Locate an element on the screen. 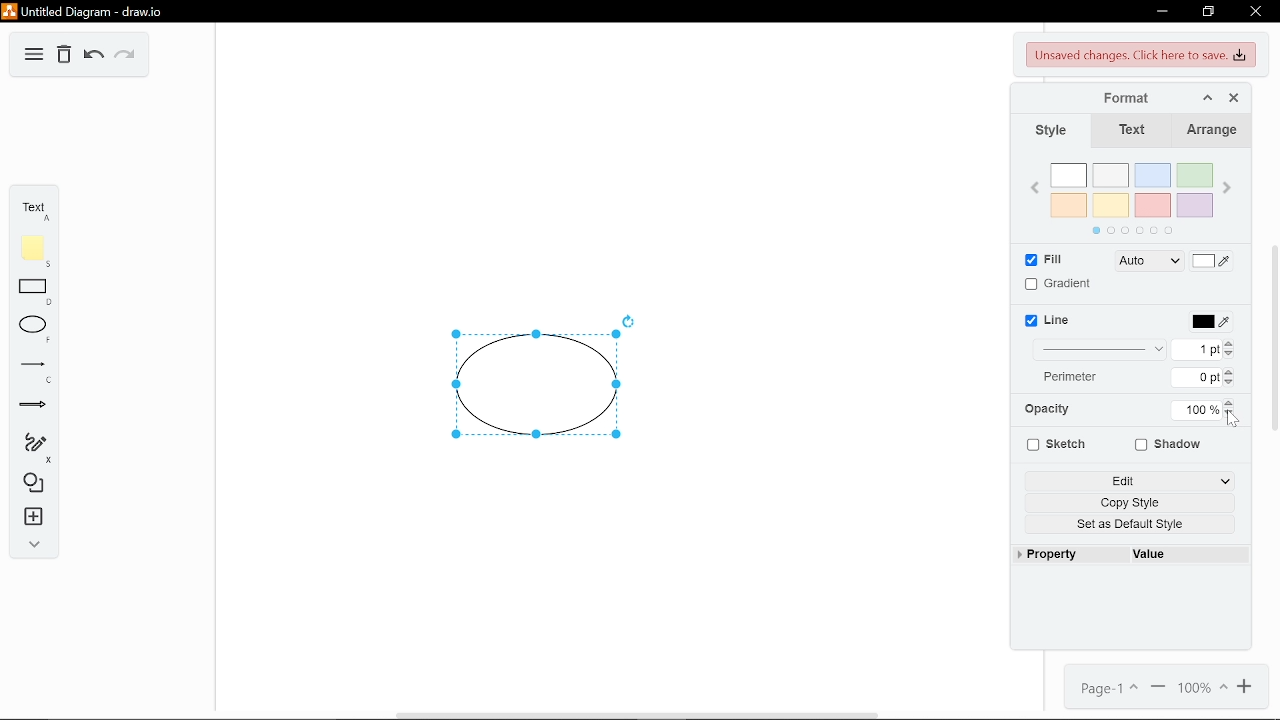 Image resolution: width=1280 pixels, height=720 pixels. Collapse is located at coordinates (1206, 95).